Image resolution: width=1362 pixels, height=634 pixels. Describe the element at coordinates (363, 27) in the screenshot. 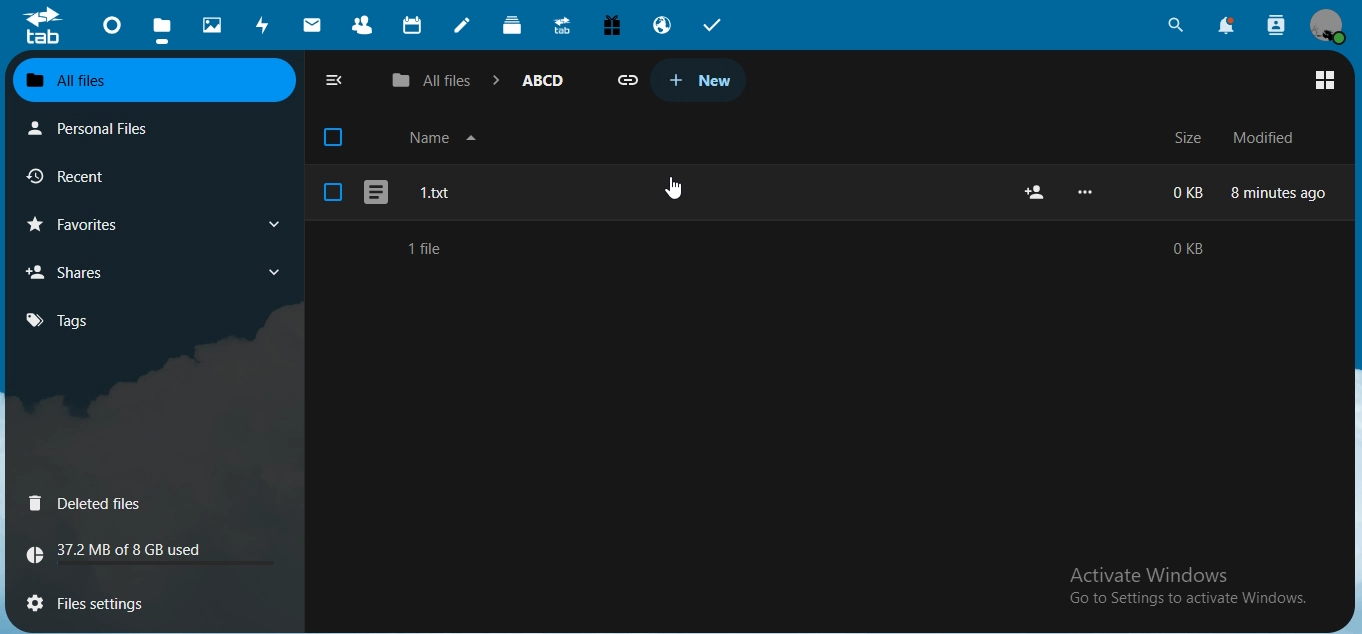

I see `contacts` at that location.